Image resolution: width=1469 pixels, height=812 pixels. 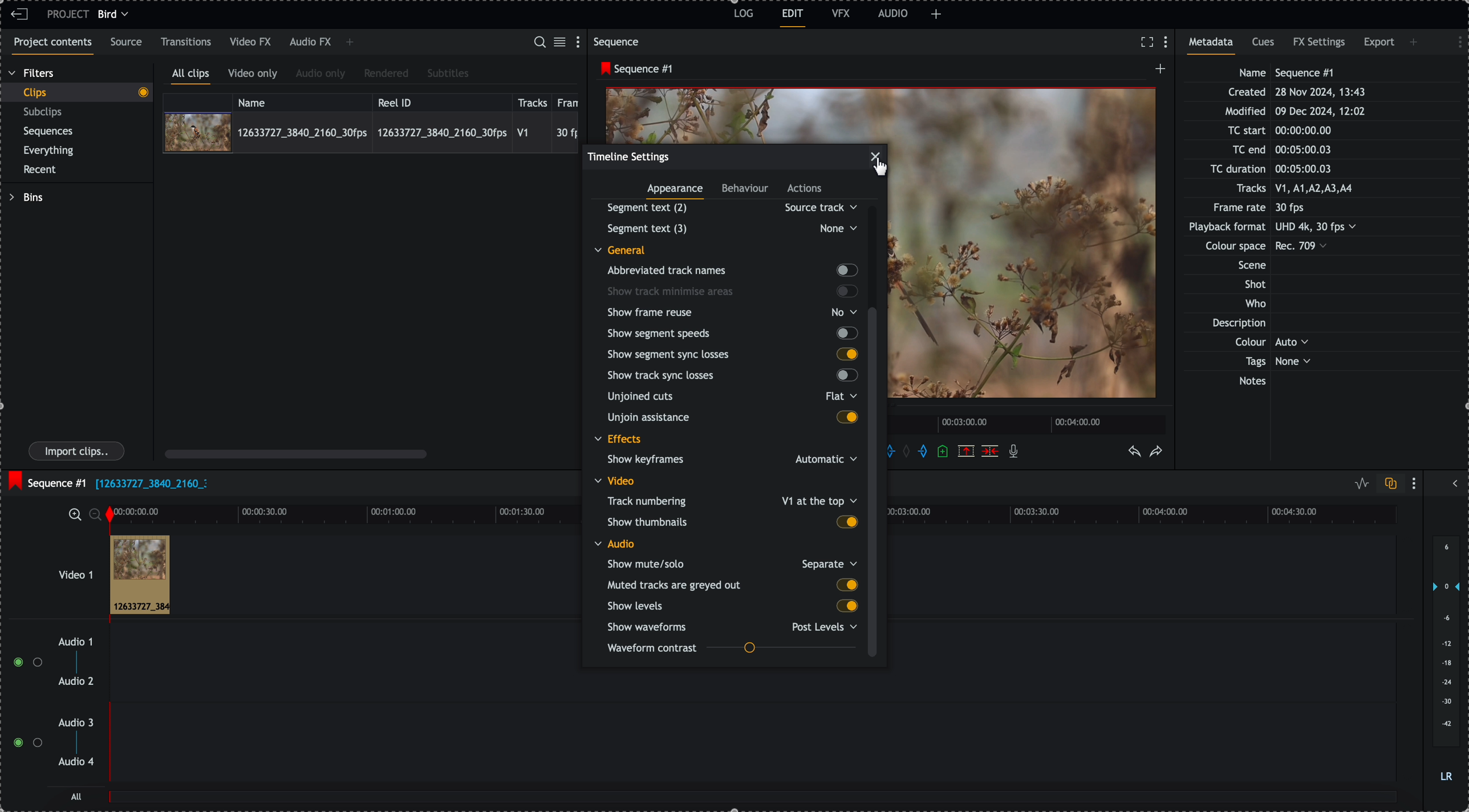 What do you see at coordinates (885, 166) in the screenshot?
I see `cursor` at bounding box center [885, 166].